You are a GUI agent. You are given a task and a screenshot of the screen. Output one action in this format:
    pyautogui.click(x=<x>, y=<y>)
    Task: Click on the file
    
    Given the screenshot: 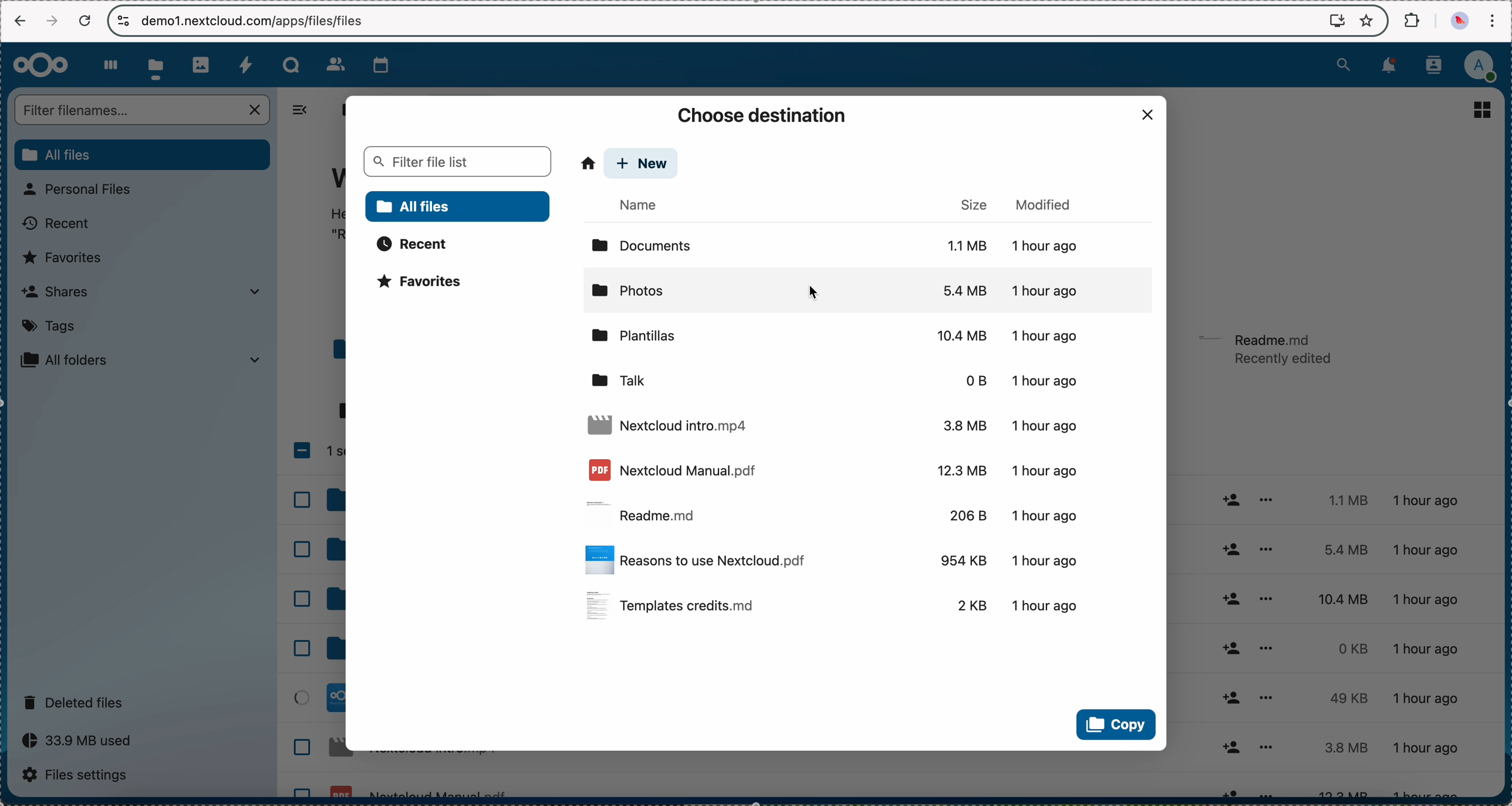 What is the action you would take?
    pyautogui.click(x=838, y=425)
    